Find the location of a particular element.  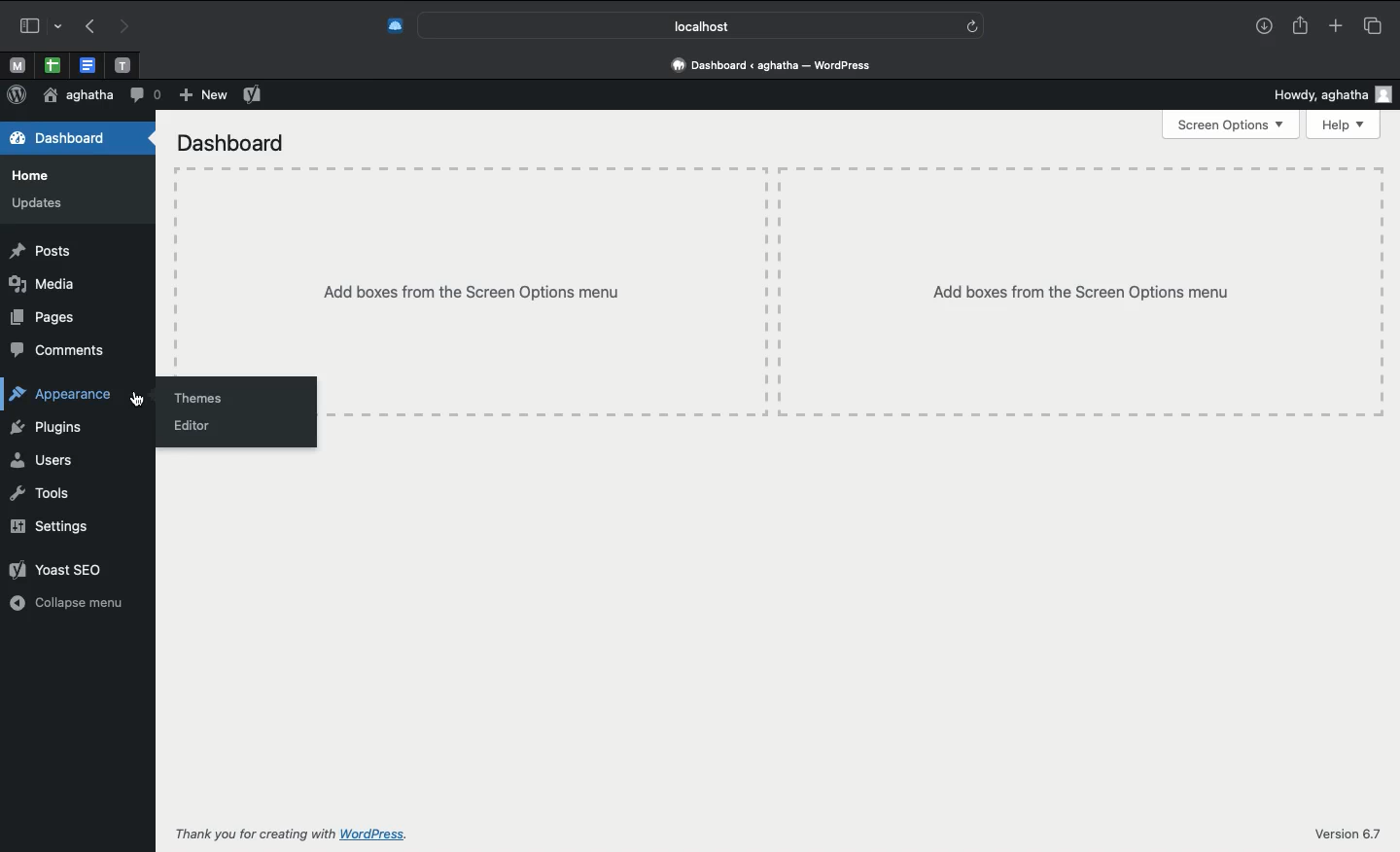

Share is located at coordinates (1299, 23).